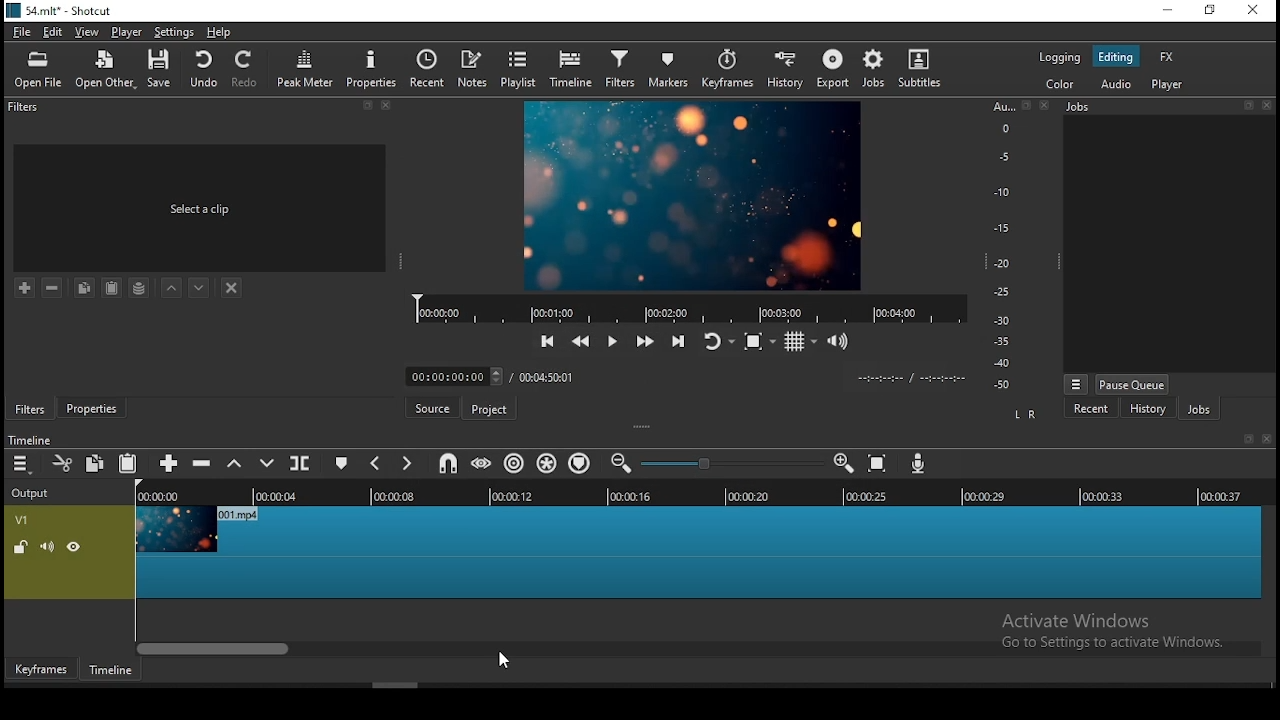 The width and height of the screenshot is (1280, 720). Describe the element at coordinates (20, 520) in the screenshot. I see `V1` at that location.